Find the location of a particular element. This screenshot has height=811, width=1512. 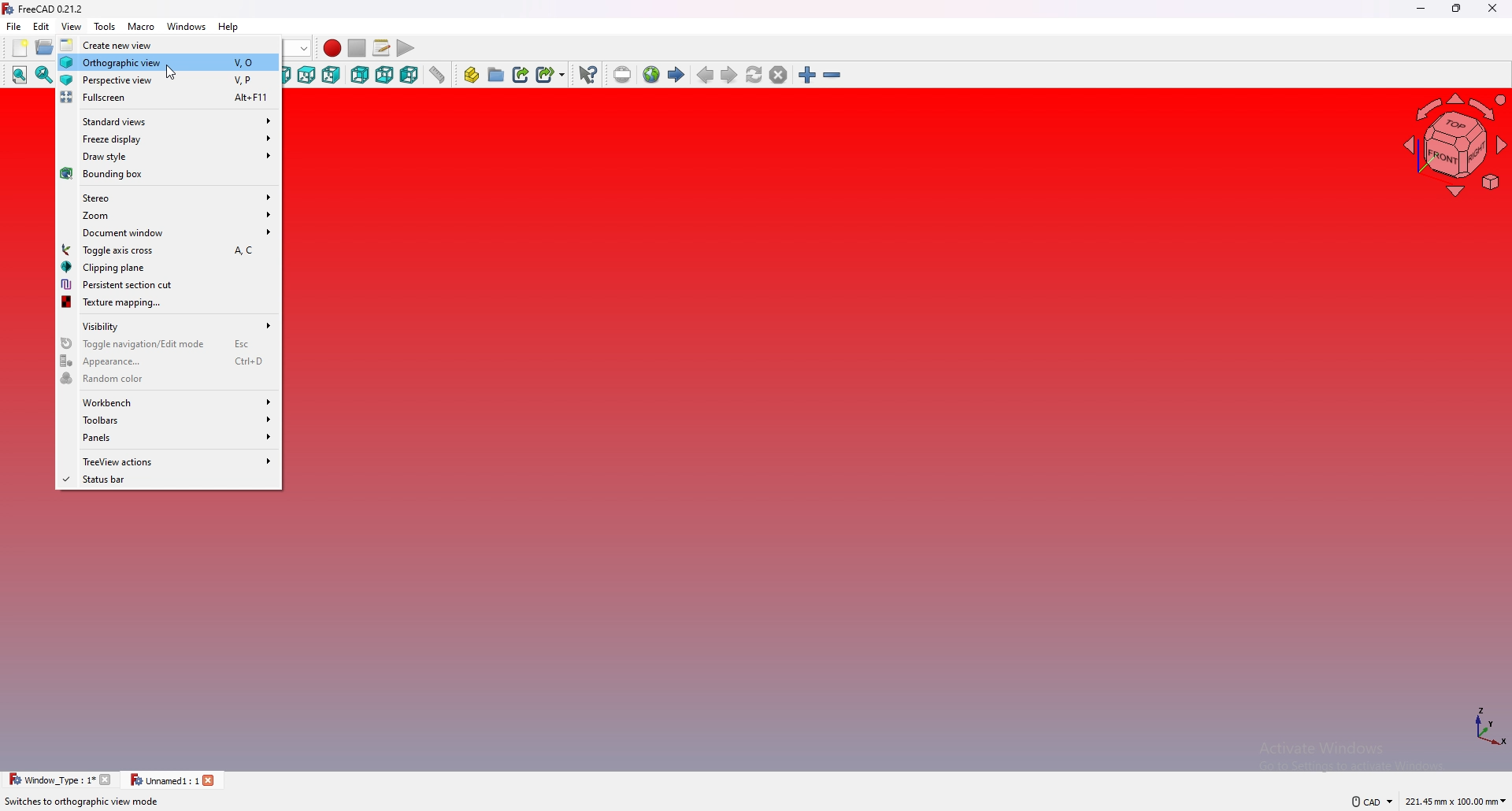

axis is located at coordinates (1491, 727).